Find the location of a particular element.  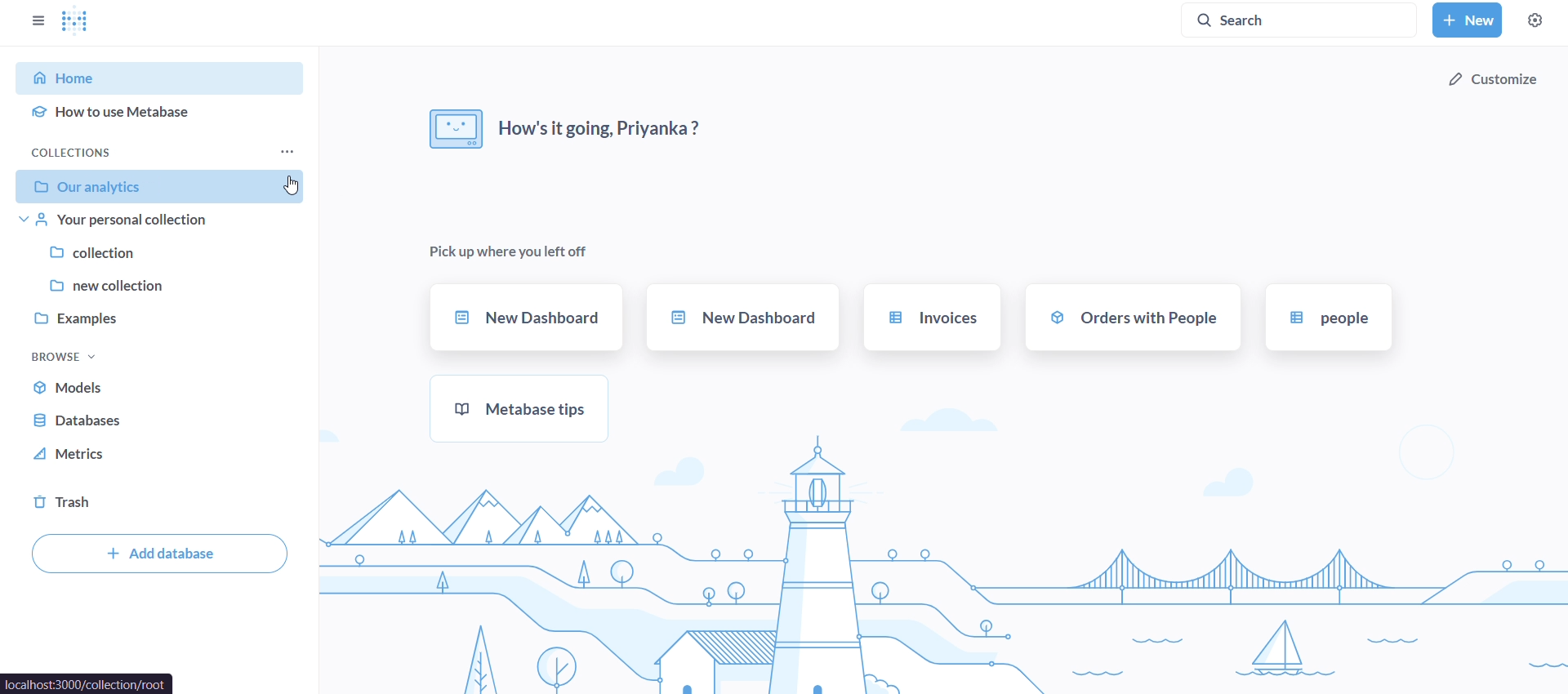

invoice is located at coordinates (931, 318).